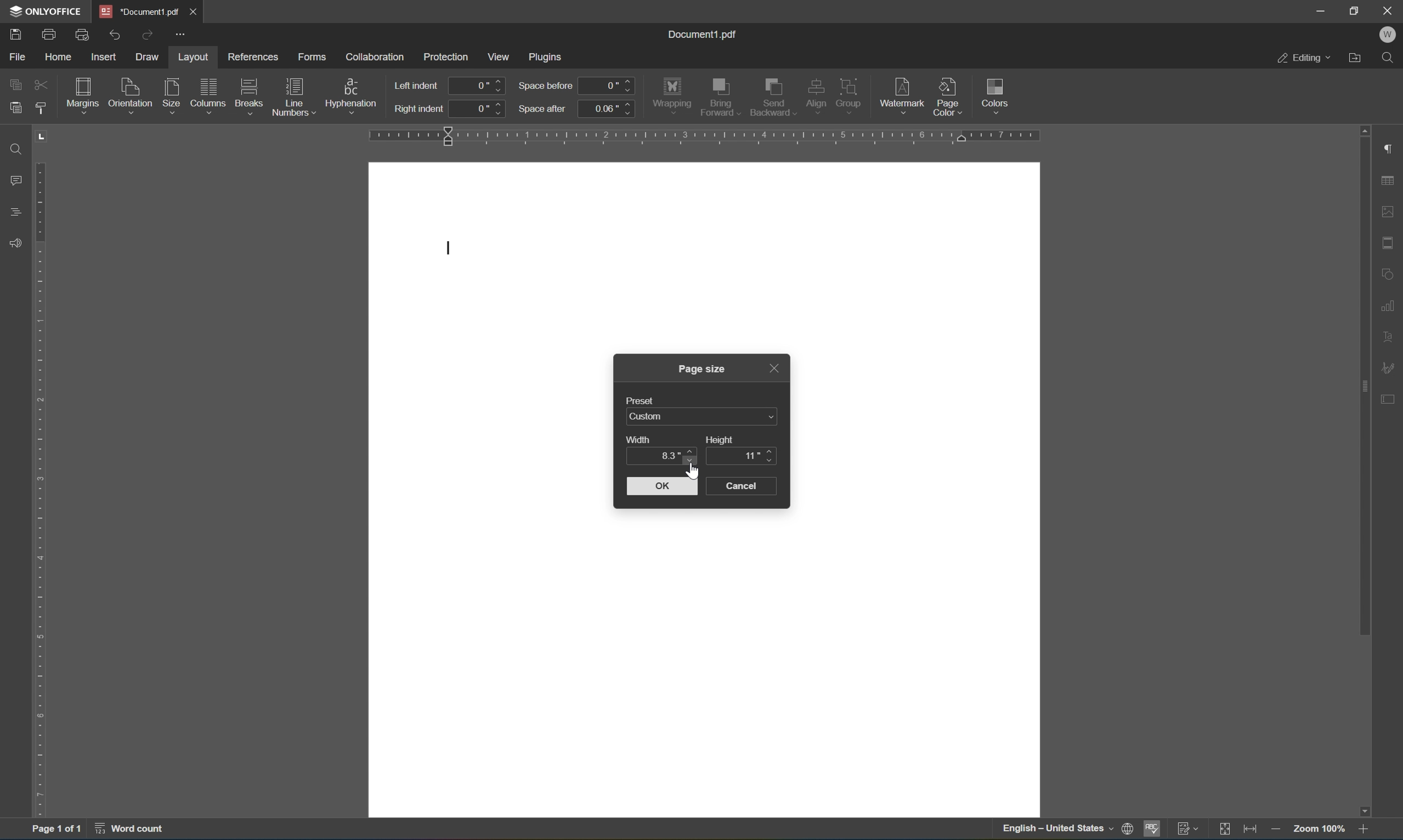 The width and height of the screenshot is (1403, 840). Describe the element at coordinates (12, 243) in the screenshot. I see `feedback & support` at that location.